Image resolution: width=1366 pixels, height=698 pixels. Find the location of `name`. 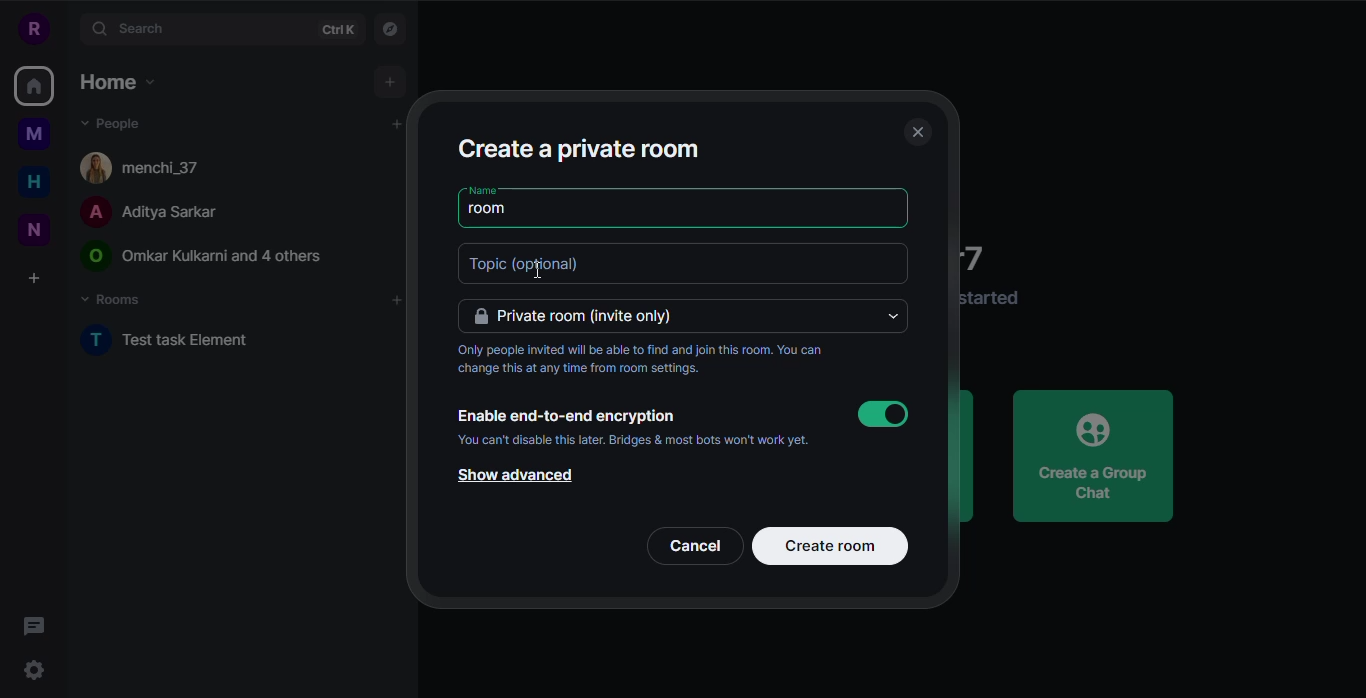

name is located at coordinates (484, 189).